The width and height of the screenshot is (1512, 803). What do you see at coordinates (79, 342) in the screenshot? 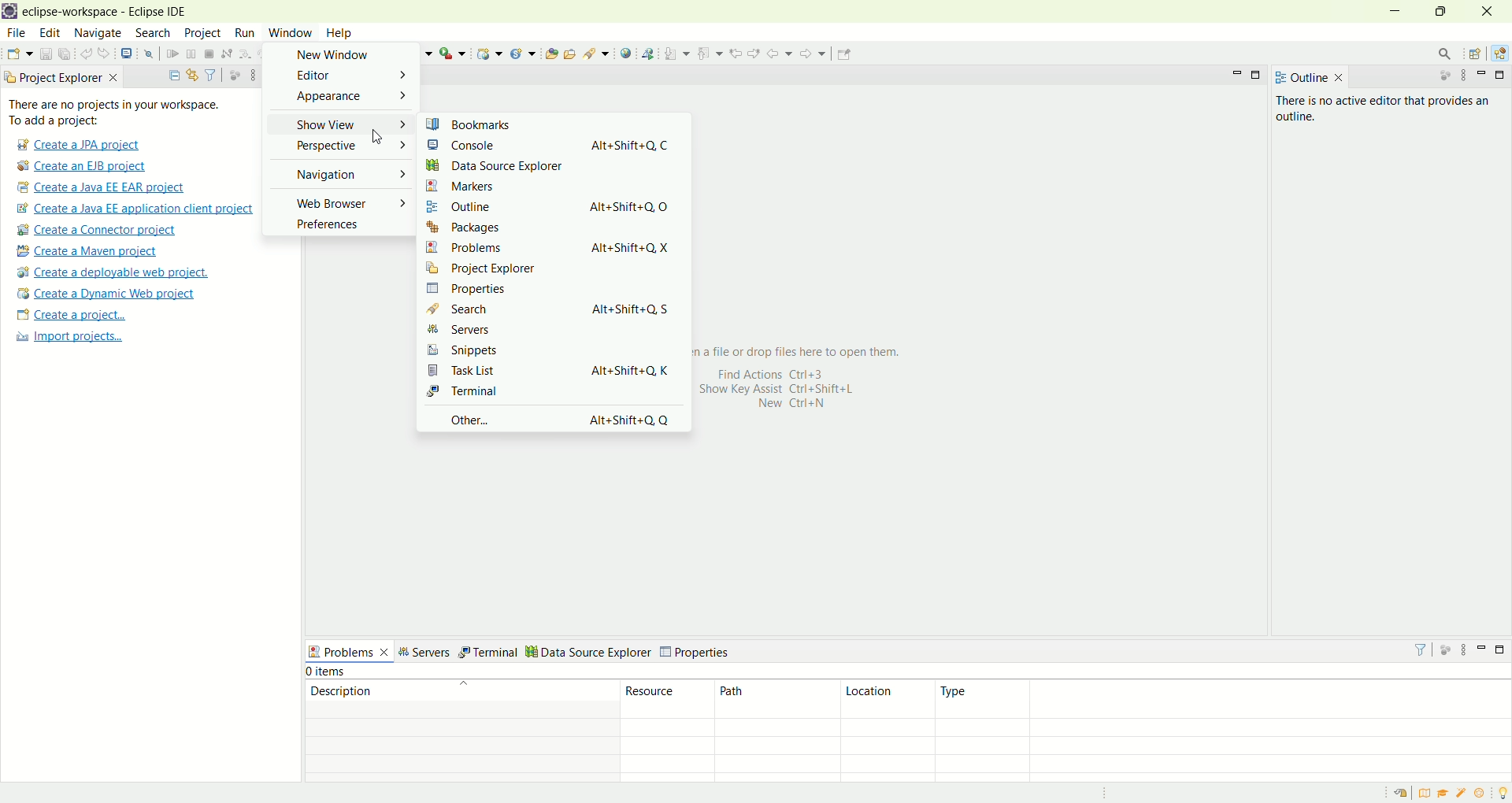
I see `import projects` at bounding box center [79, 342].